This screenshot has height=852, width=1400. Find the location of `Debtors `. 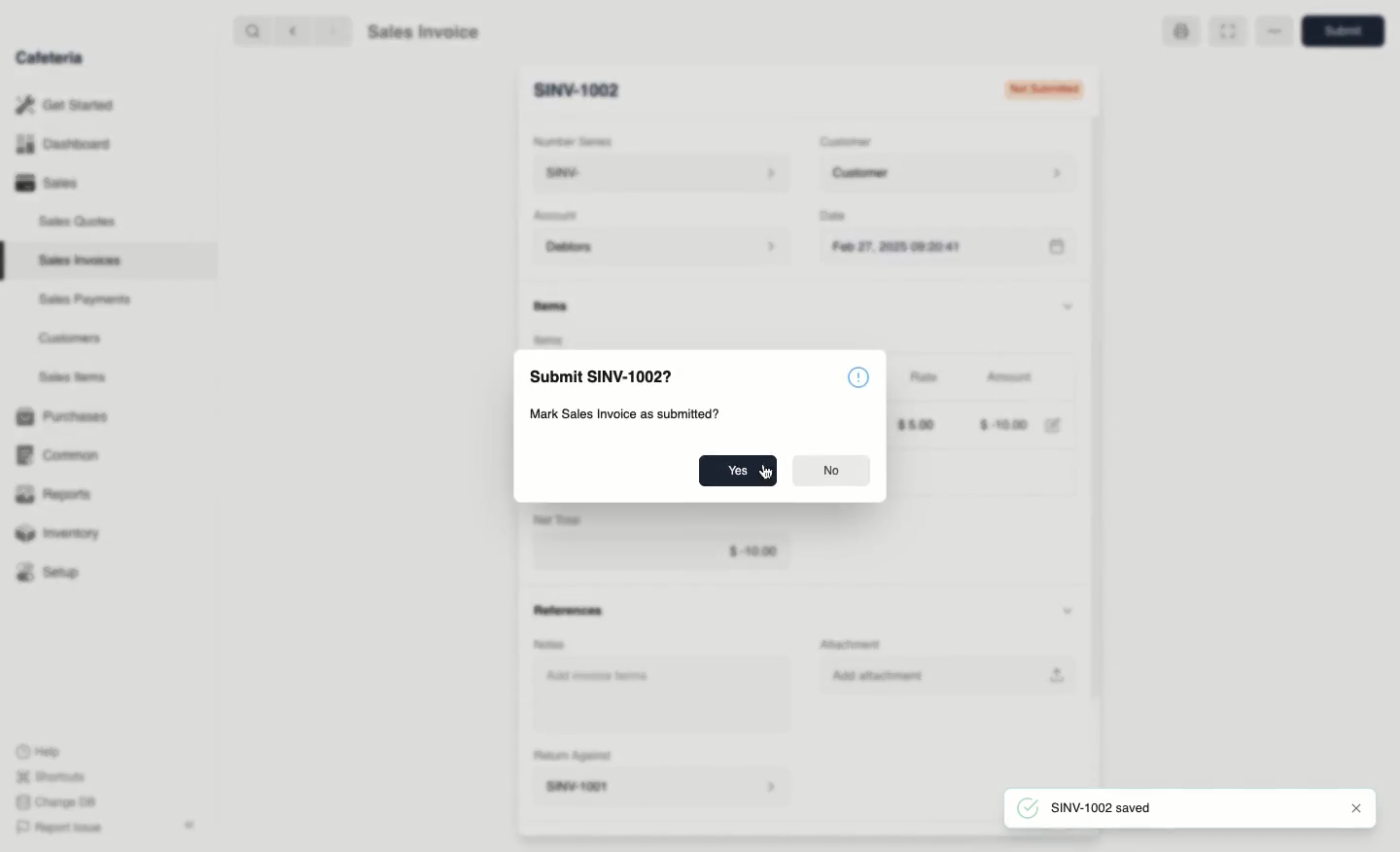

Debtors  is located at coordinates (663, 248).